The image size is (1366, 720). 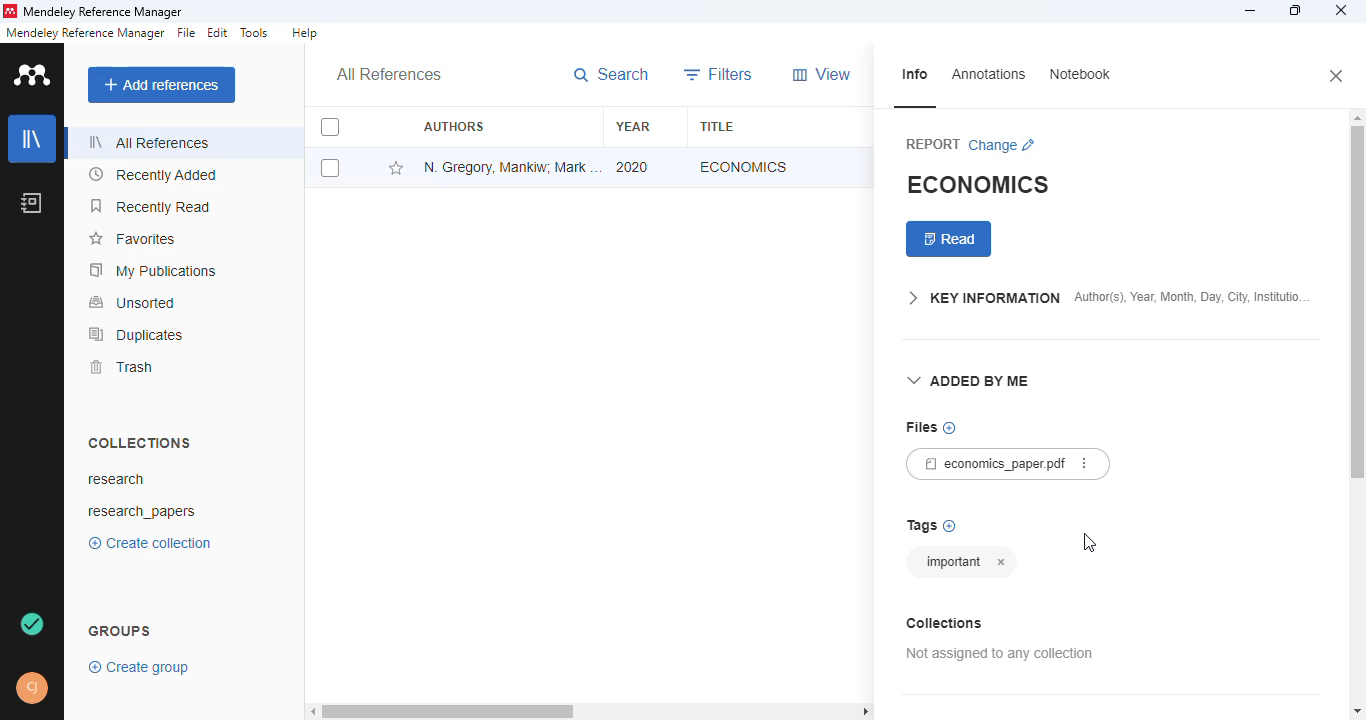 What do you see at coordinates (115, 478) in the screenshot?
I see `research` at bounding box center [115, 478].